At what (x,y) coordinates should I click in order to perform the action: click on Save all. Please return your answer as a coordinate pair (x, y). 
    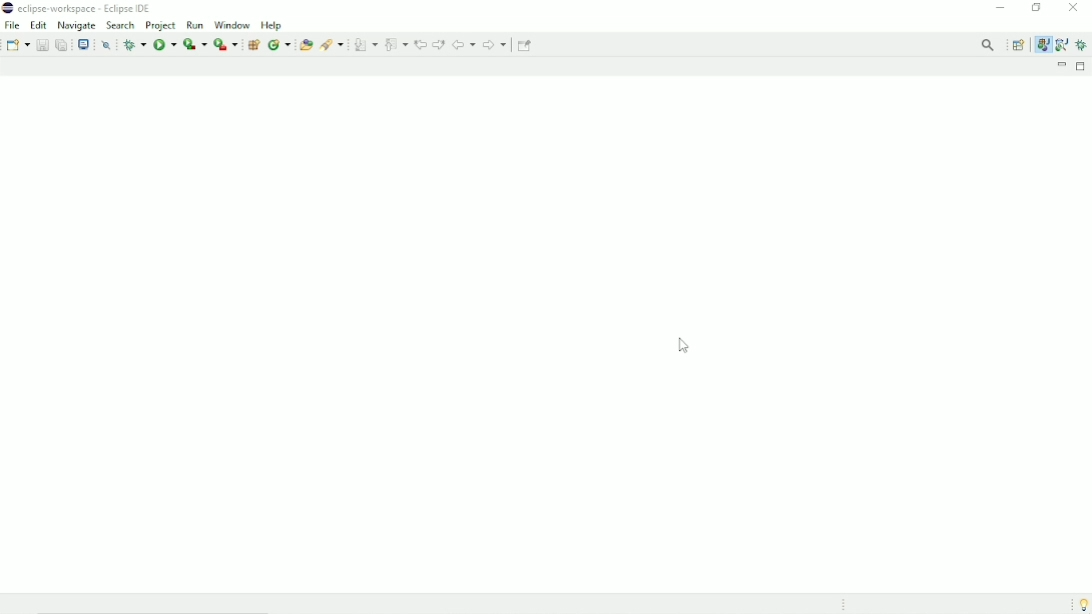
    Looking at the image, I should click on (63, 45).